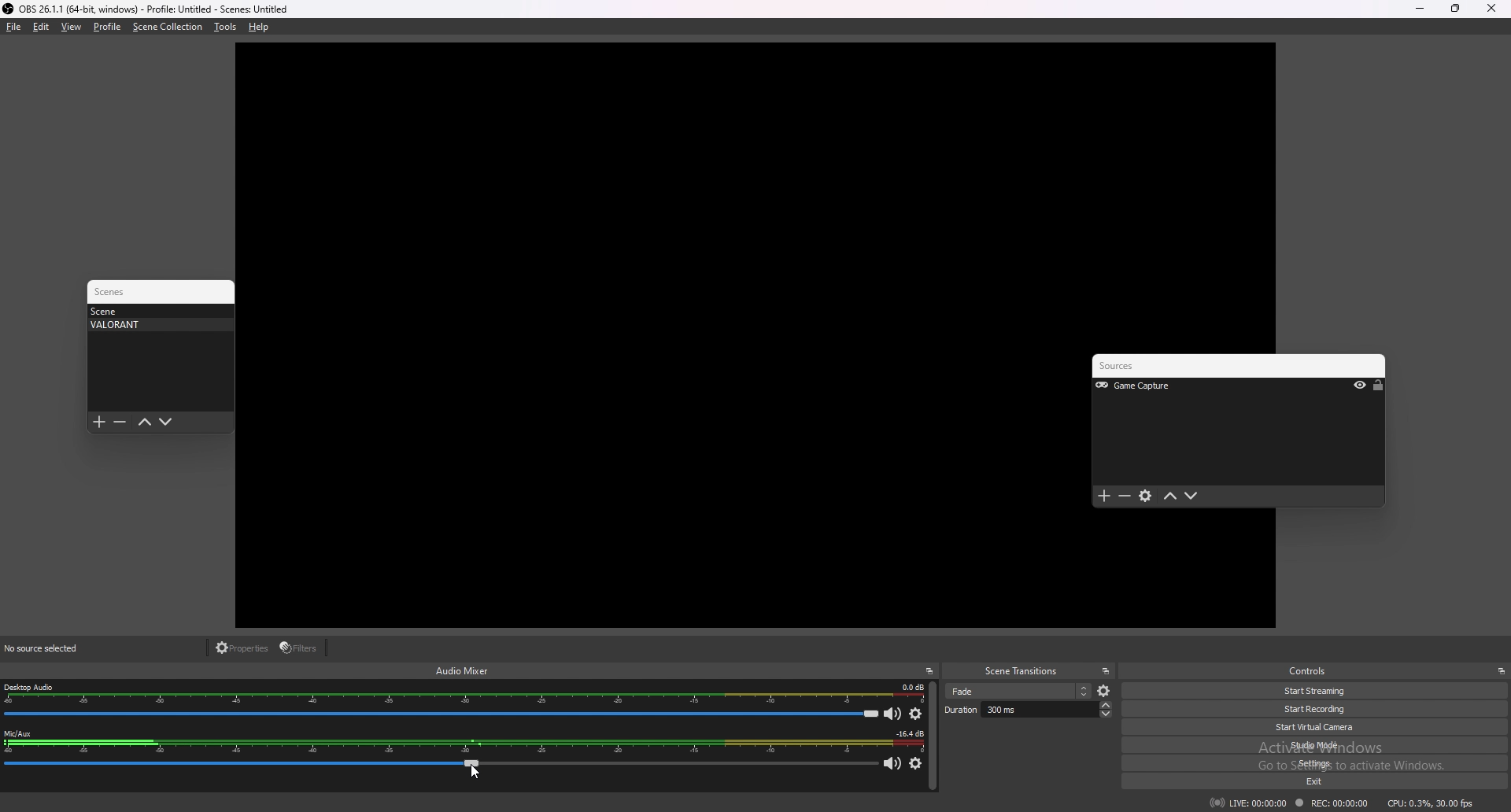 The width and height of the screenshot is (1511, 812). I want to click on hide, so click(1360, 386).